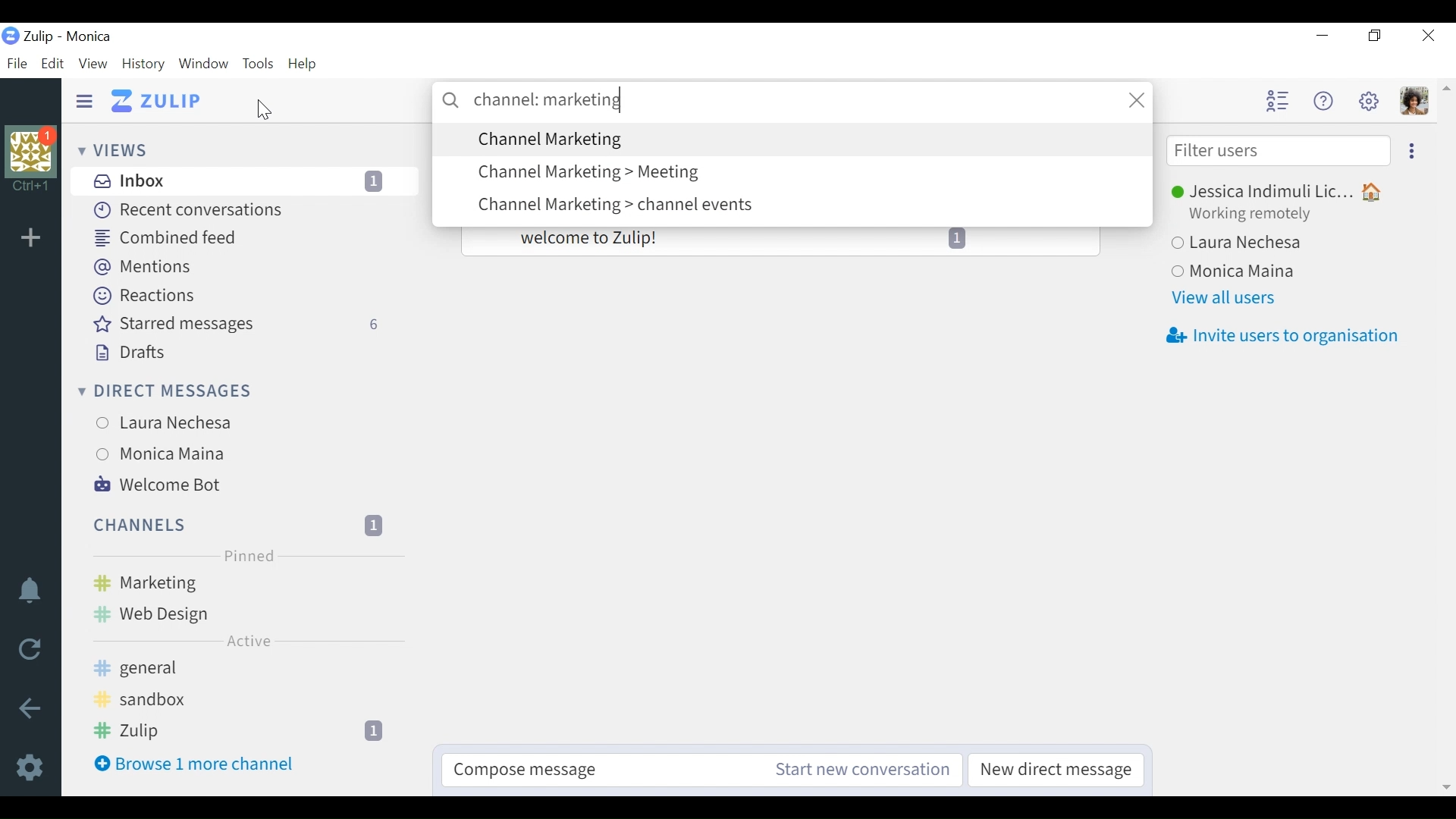 The image size is (1456, 819). What do you see at coordinates (238, 325) in the screenshot?
I see `Starred messages` at bounding box center [238, 325].